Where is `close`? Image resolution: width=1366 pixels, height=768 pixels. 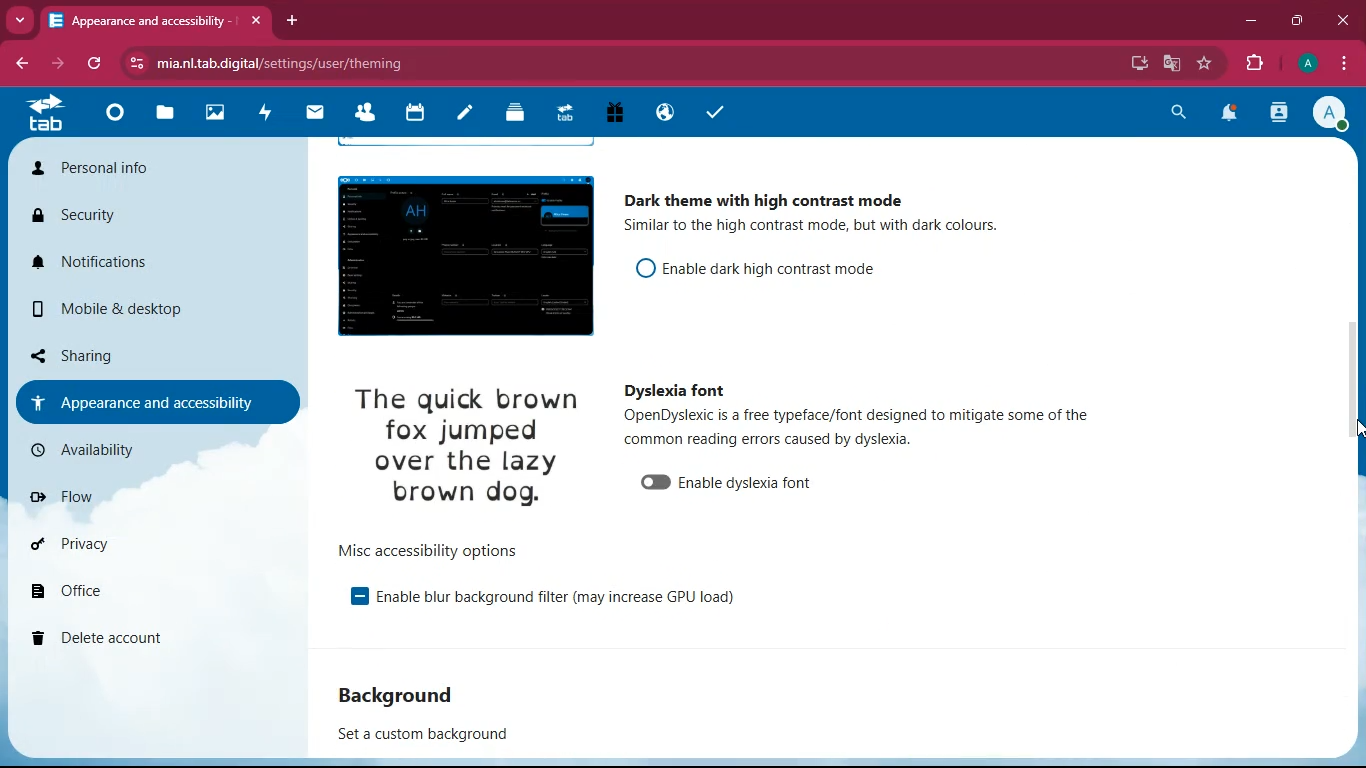
close is located at coordinates (1343, 21).